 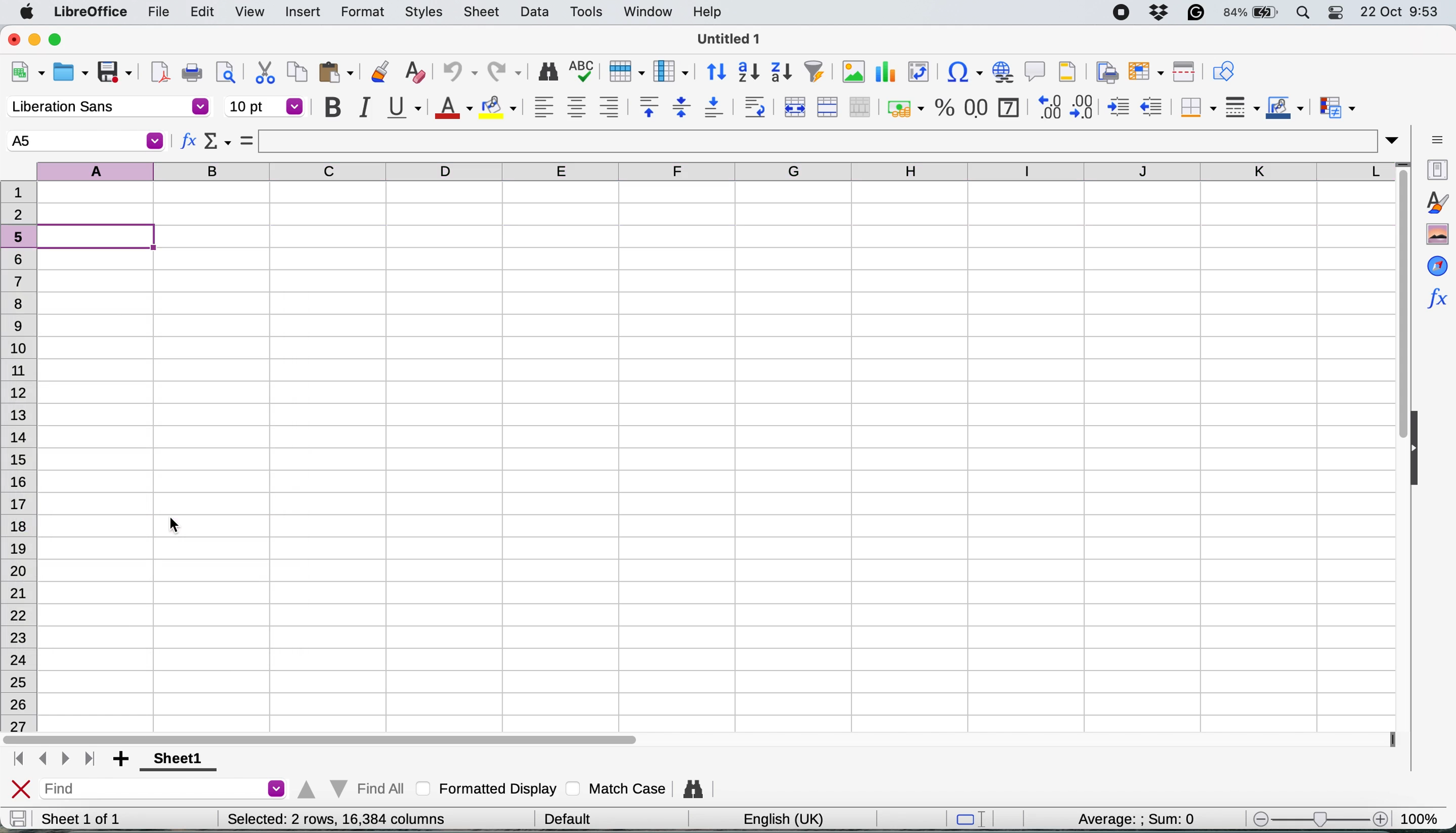 I want to click on Selected: 1 row, 16,384 columns, so click(x=332, y=819).